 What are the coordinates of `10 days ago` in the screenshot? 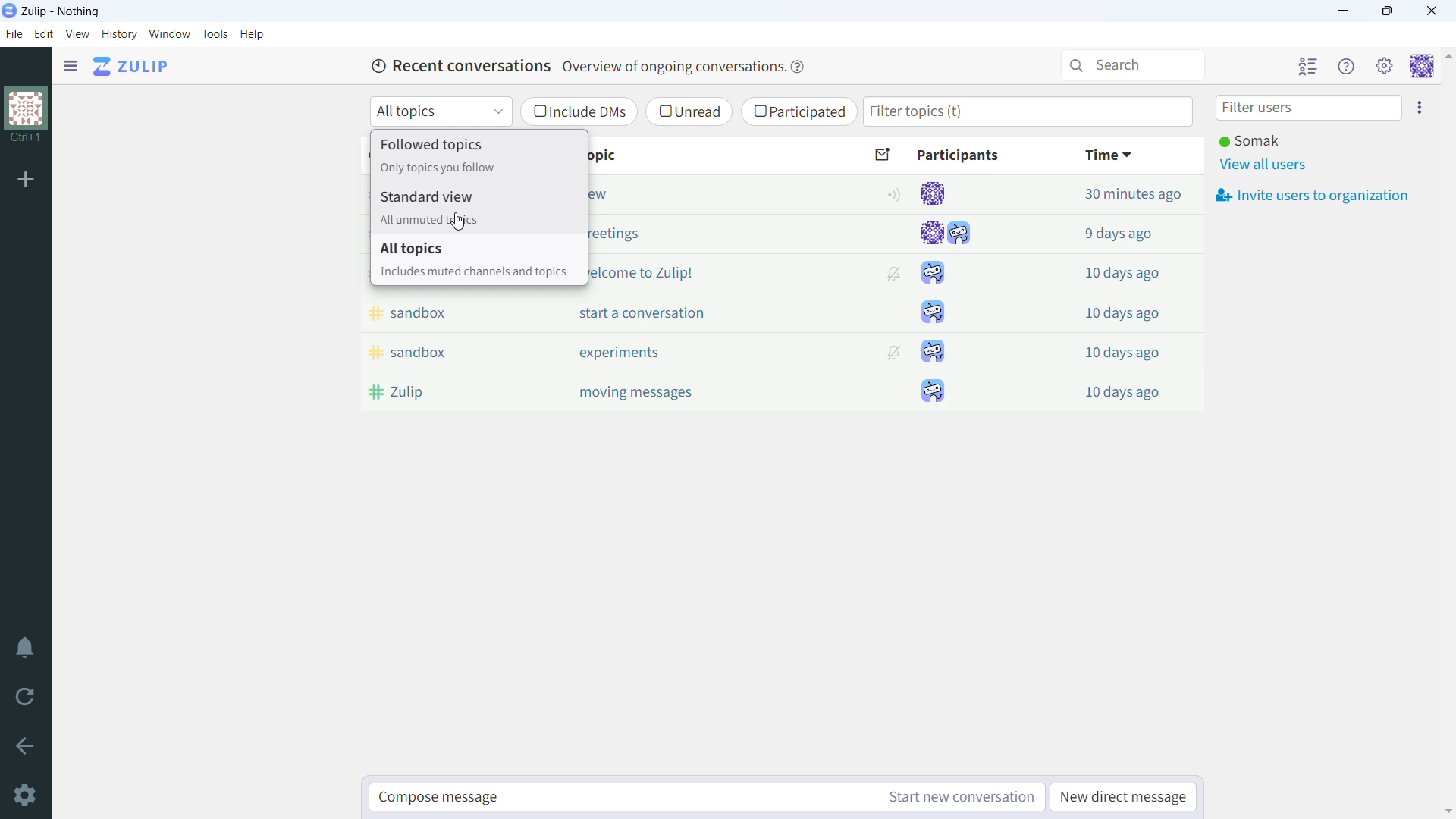 It's located at (1124, 313).